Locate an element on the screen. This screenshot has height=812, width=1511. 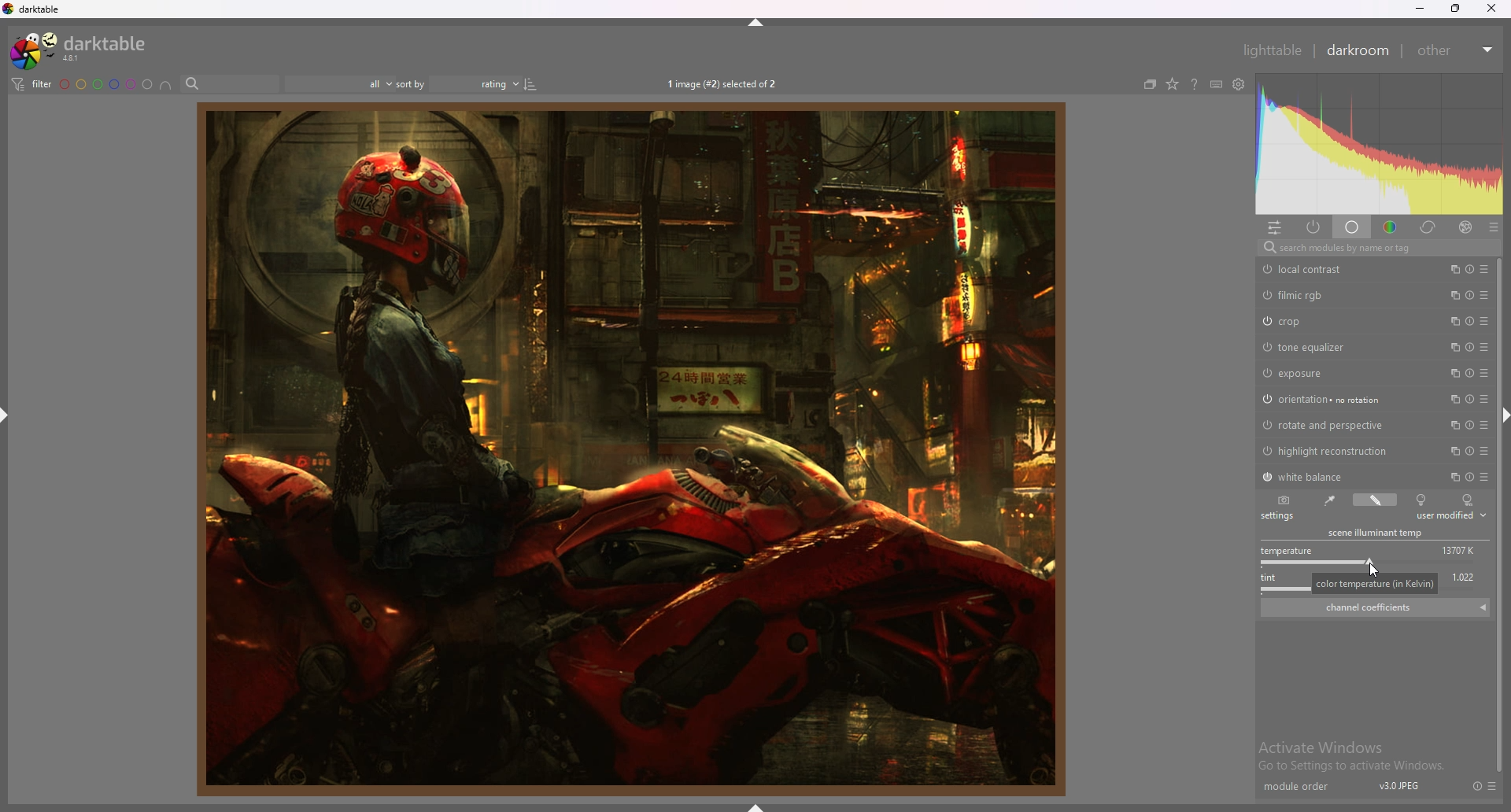
reset is located at coordinates (1470, 295).